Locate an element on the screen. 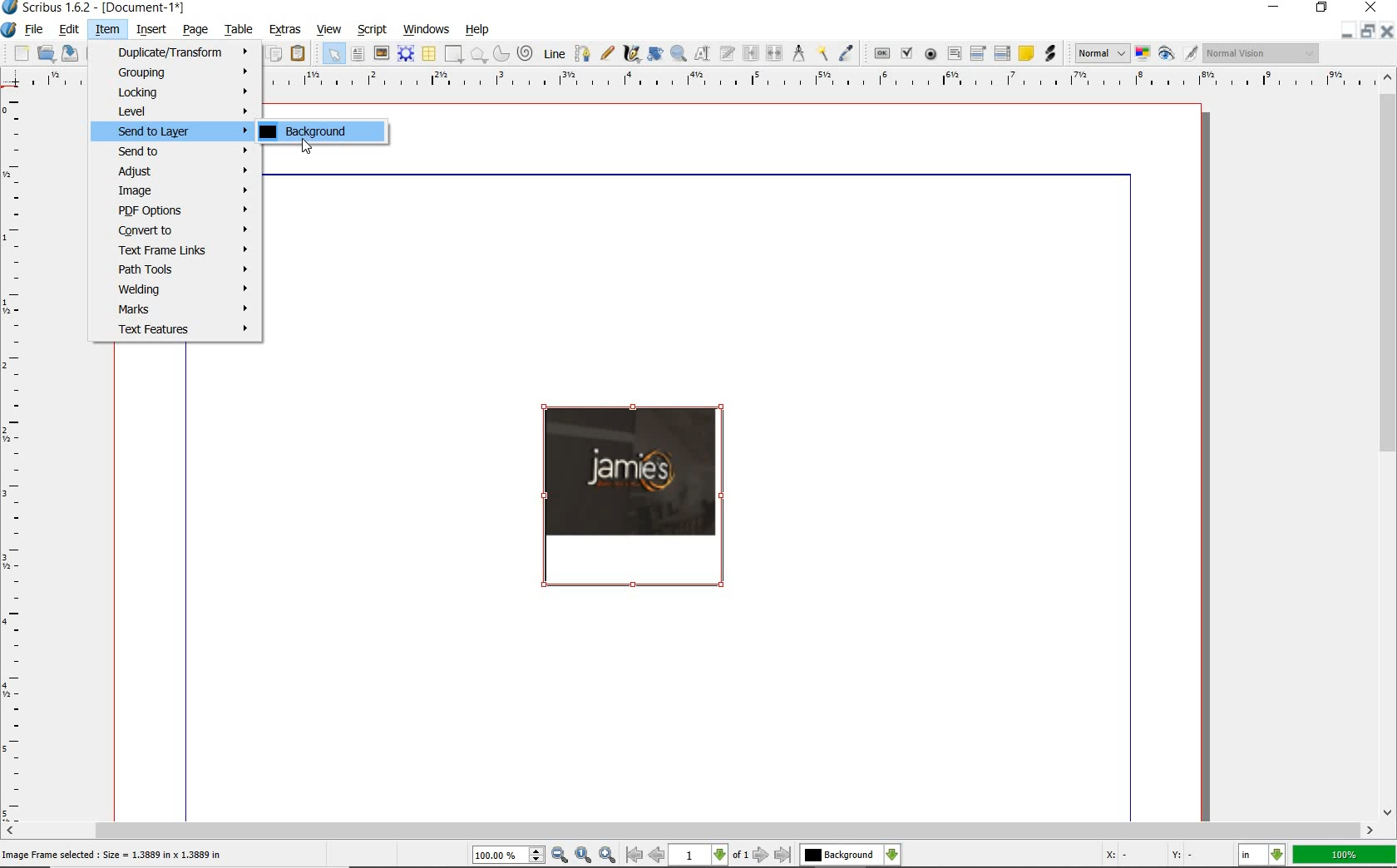 This screenshot has height=868, width=1397. table is located at coordinates (430, 55).